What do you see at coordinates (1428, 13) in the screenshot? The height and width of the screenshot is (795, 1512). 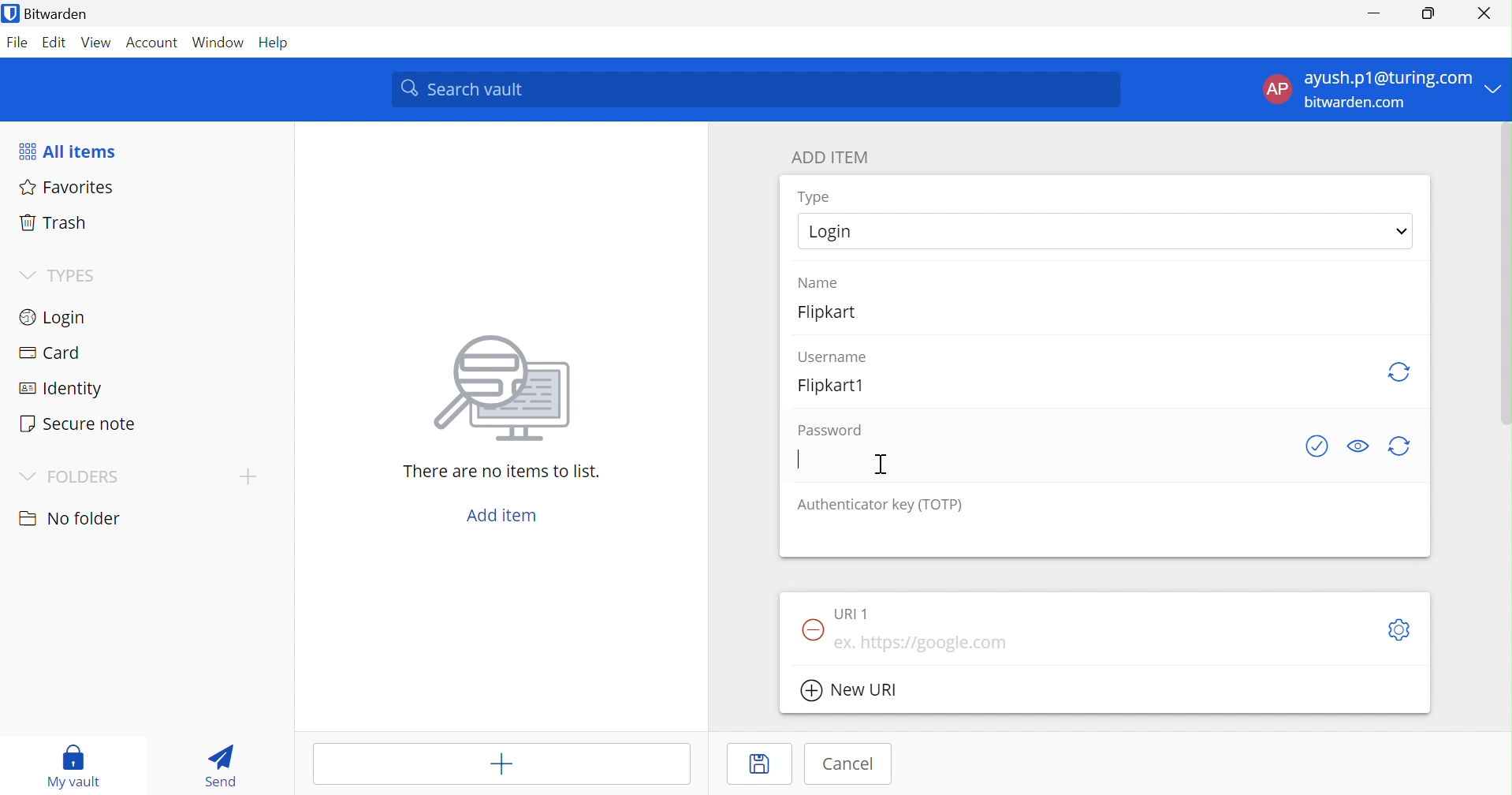 I see `Restore Down` at bounding box center [1428, 13].